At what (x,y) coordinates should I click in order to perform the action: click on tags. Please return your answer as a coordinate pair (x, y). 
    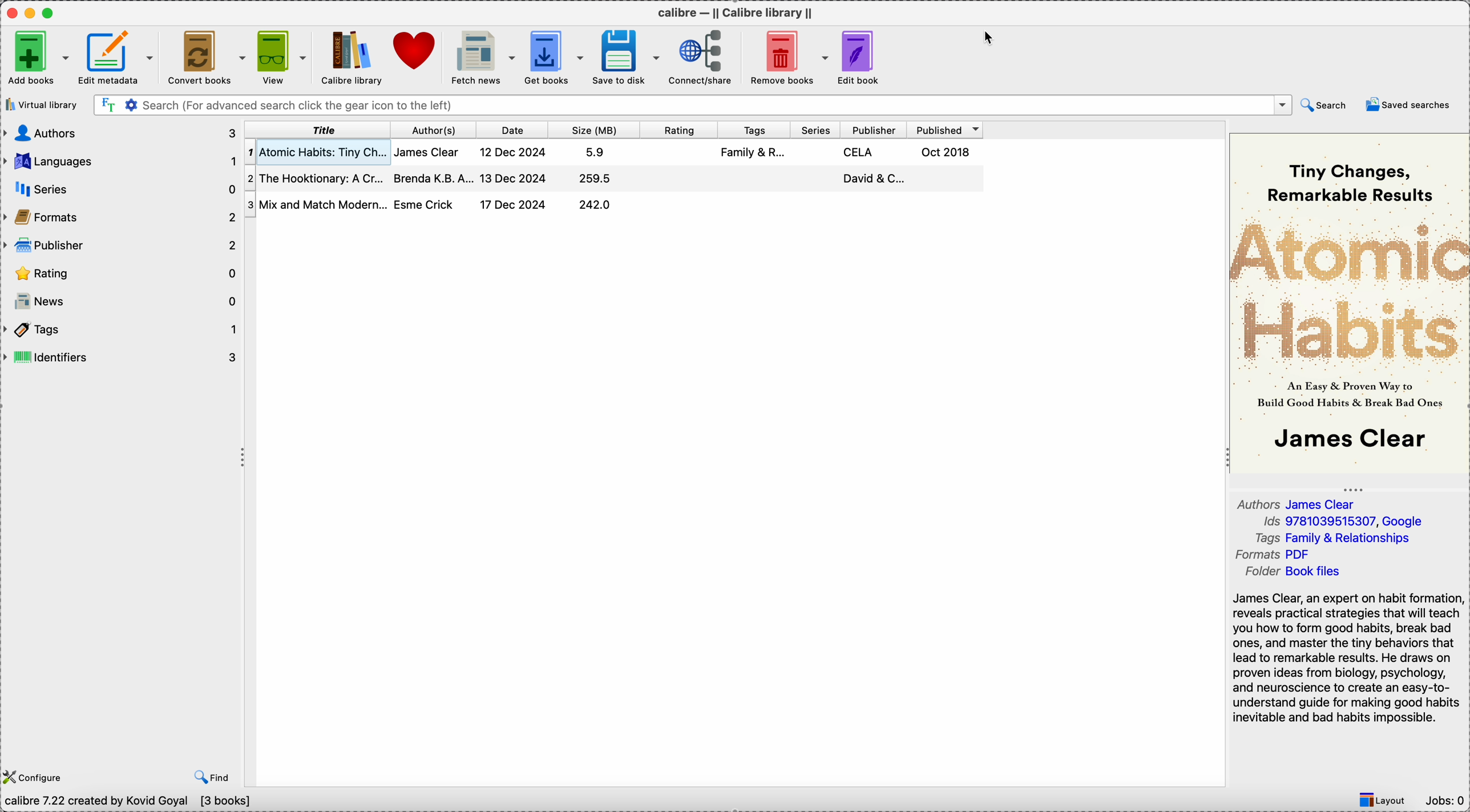
    Looking at the image, I should click on (122, 329).